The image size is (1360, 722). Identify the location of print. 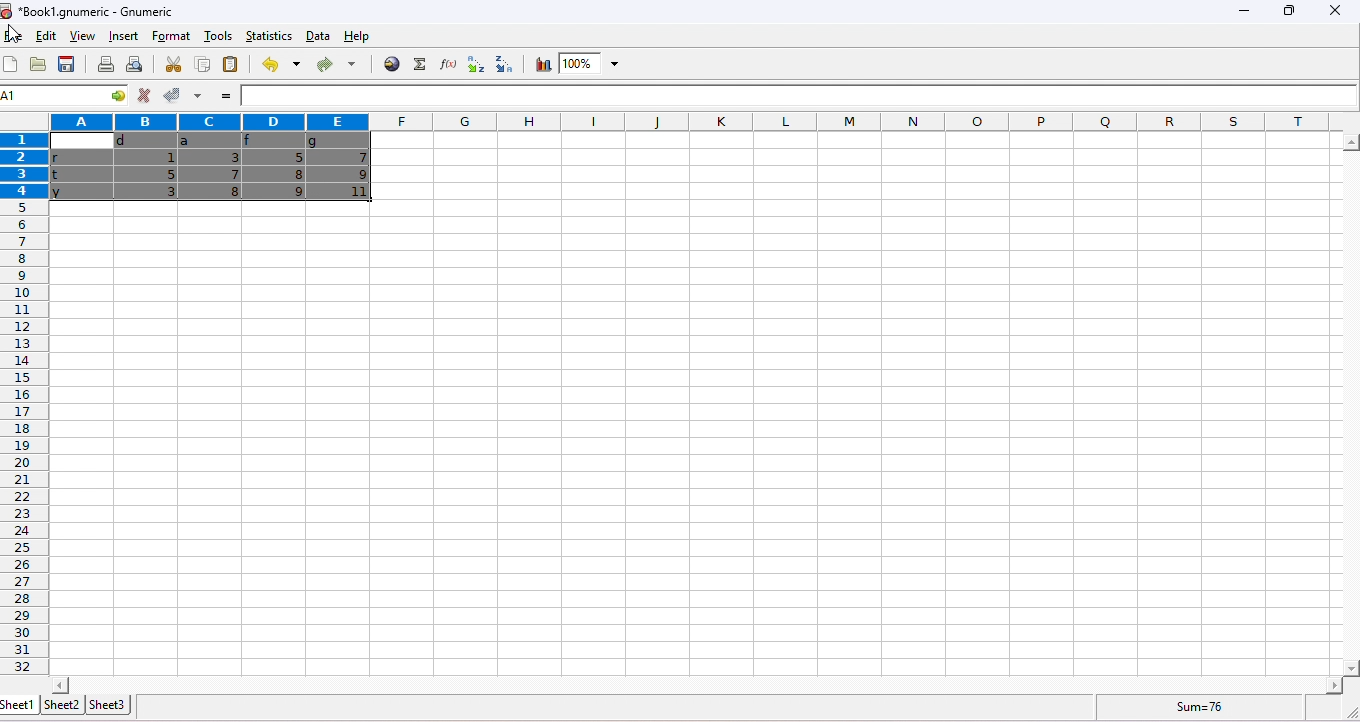
(106, 64).